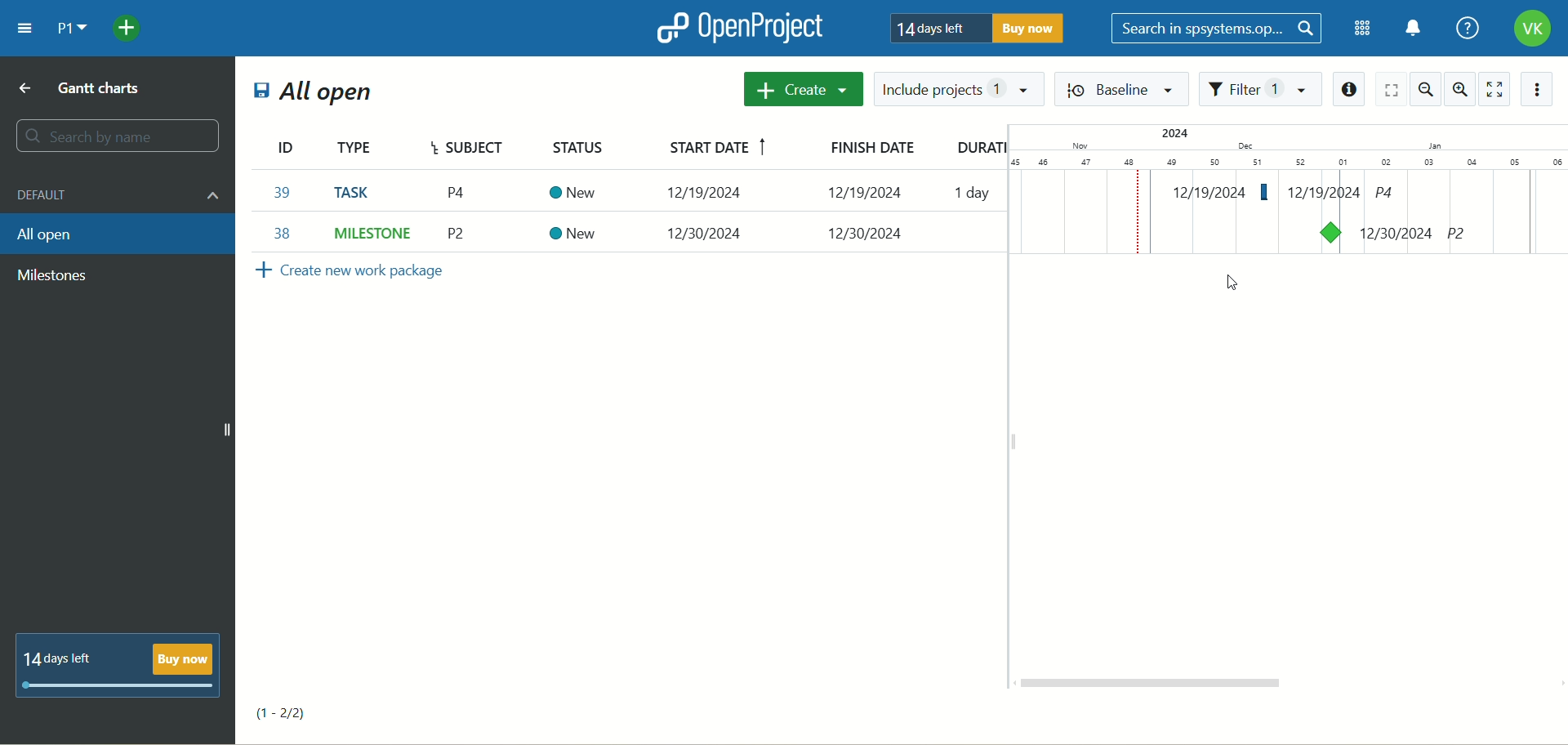 The height and width of the screenshot is (745, 1568). I want to click on  12/19/2024, so click(1322, 193).